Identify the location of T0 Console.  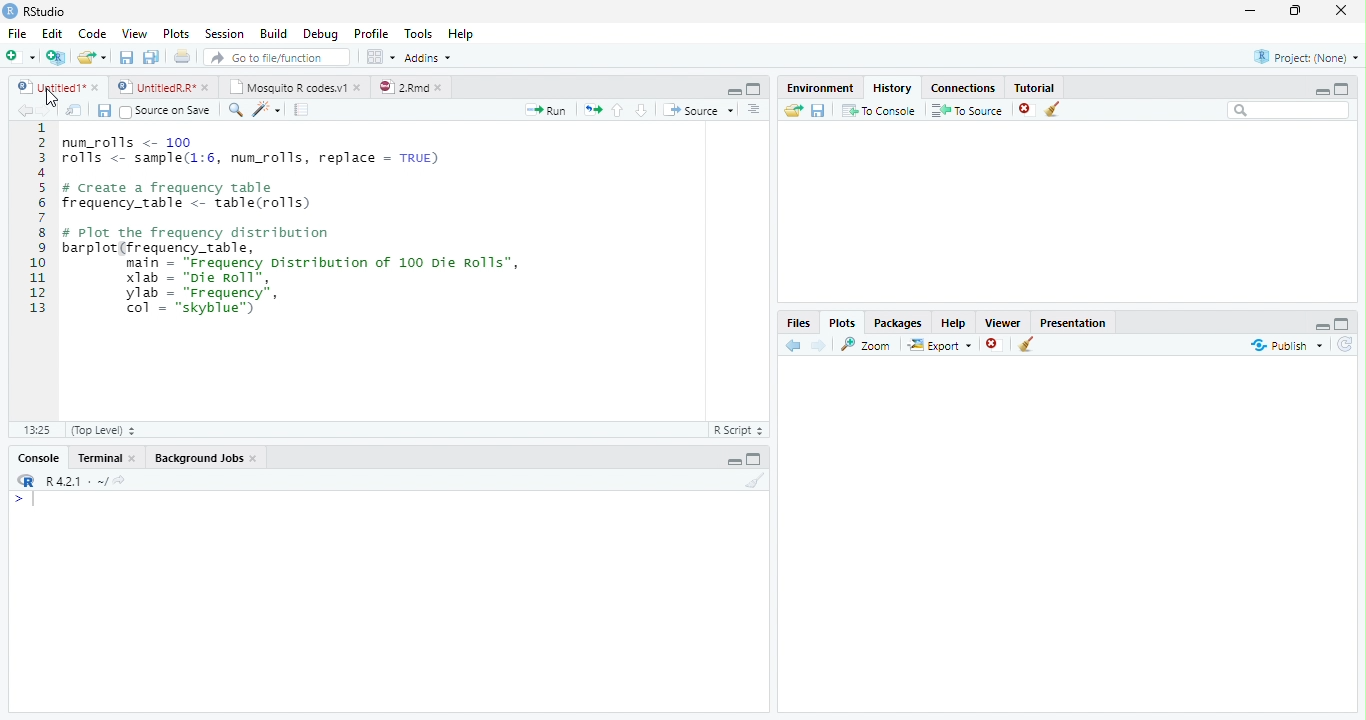
(878, 109).